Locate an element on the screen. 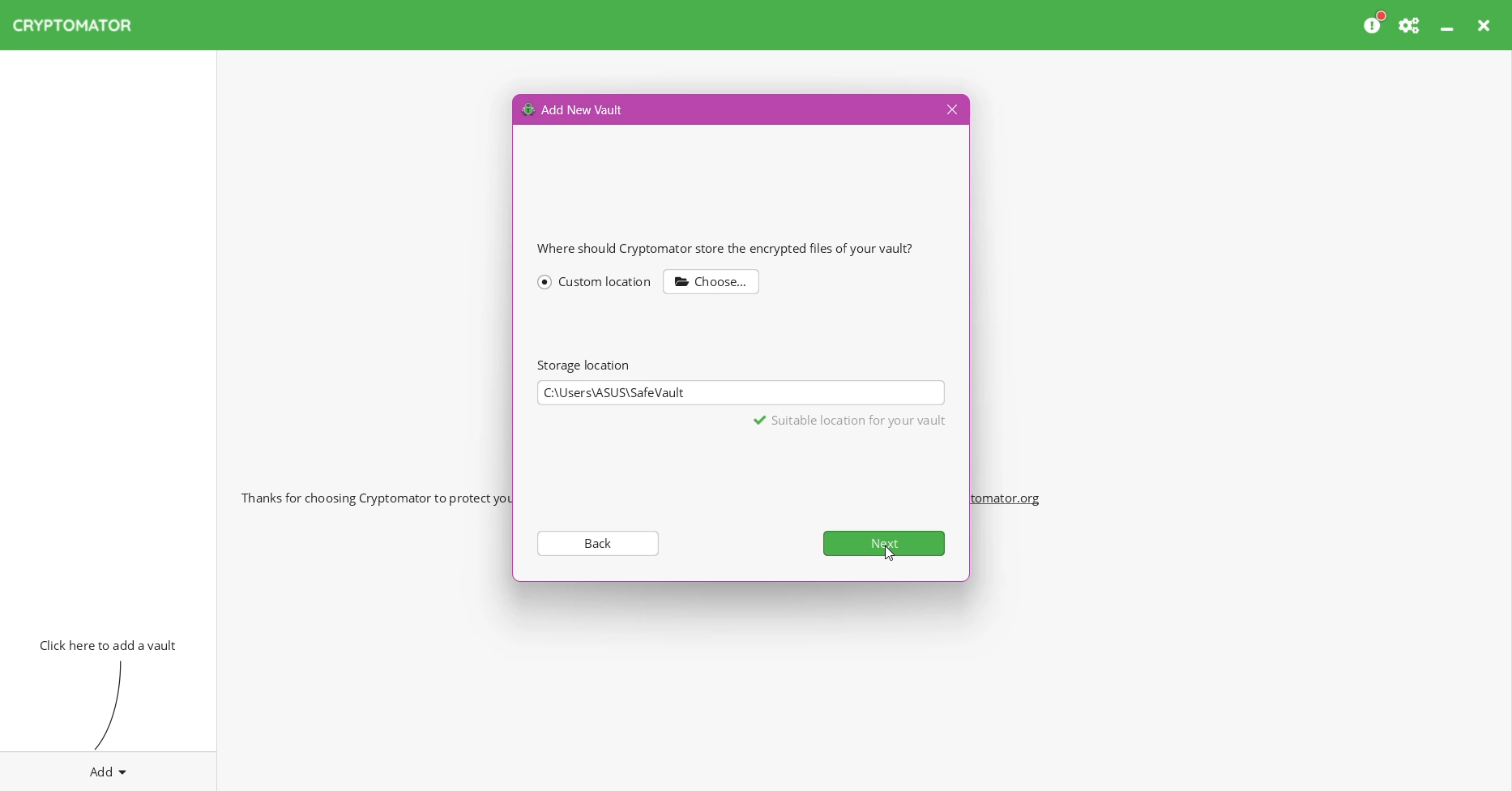  Preferences is located at coordinates (1411, 25).